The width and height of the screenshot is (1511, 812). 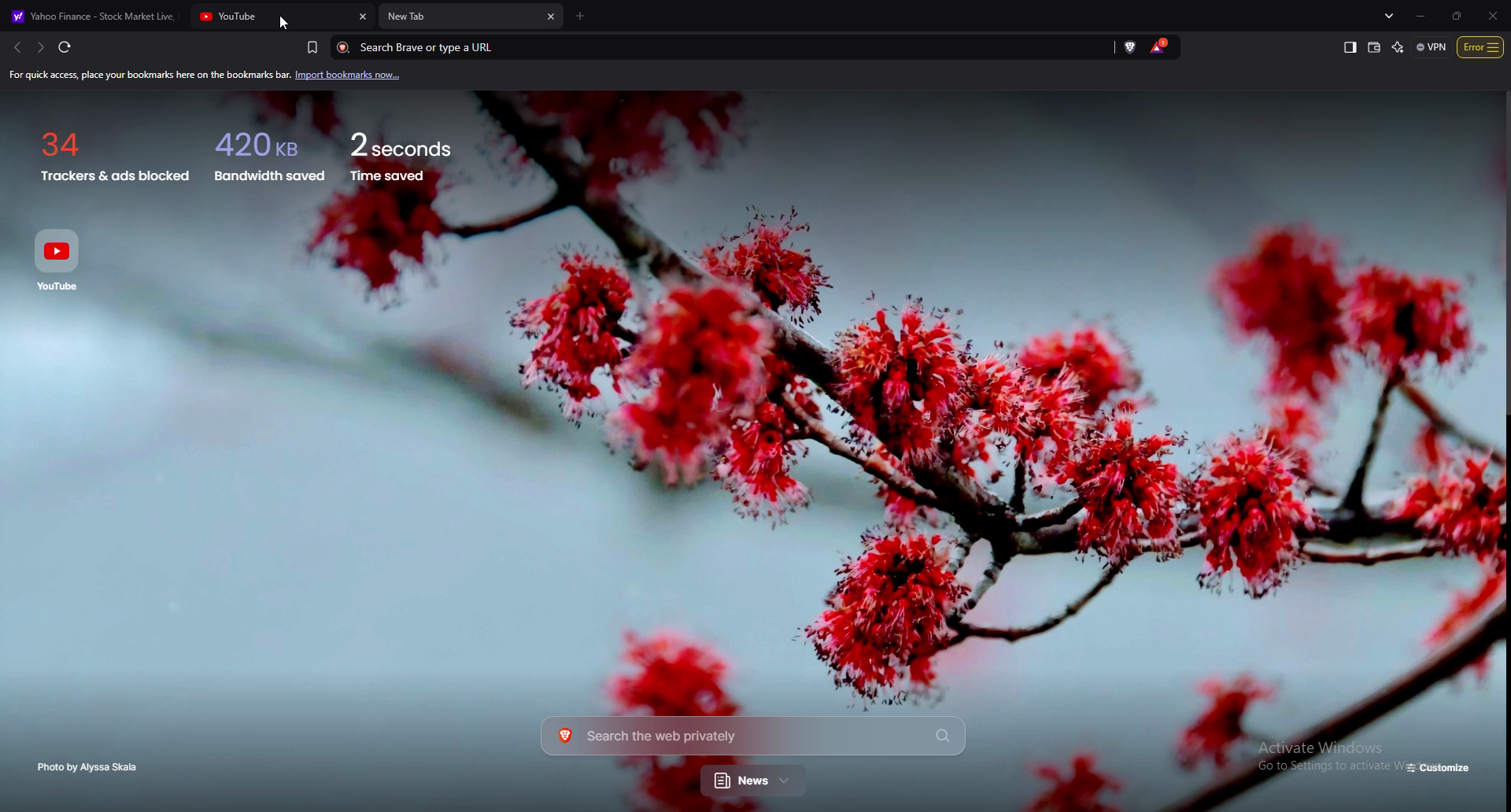 What do you see at coordinates (362, 17) in the screenshot?
I see `close tab` at bounding box center [362, 17].